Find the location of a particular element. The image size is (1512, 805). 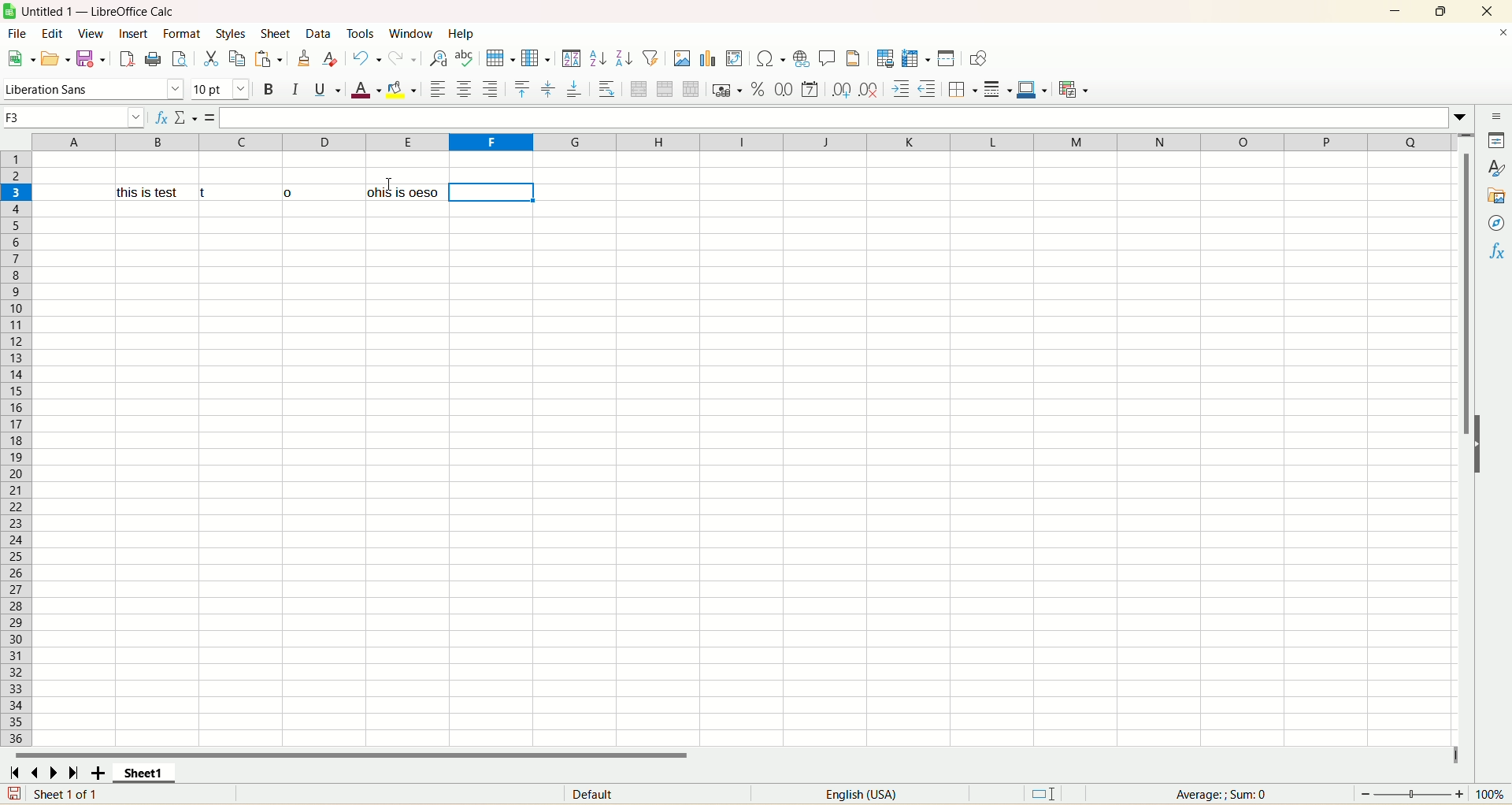

decrease indent is located at coordinates (927, 90).